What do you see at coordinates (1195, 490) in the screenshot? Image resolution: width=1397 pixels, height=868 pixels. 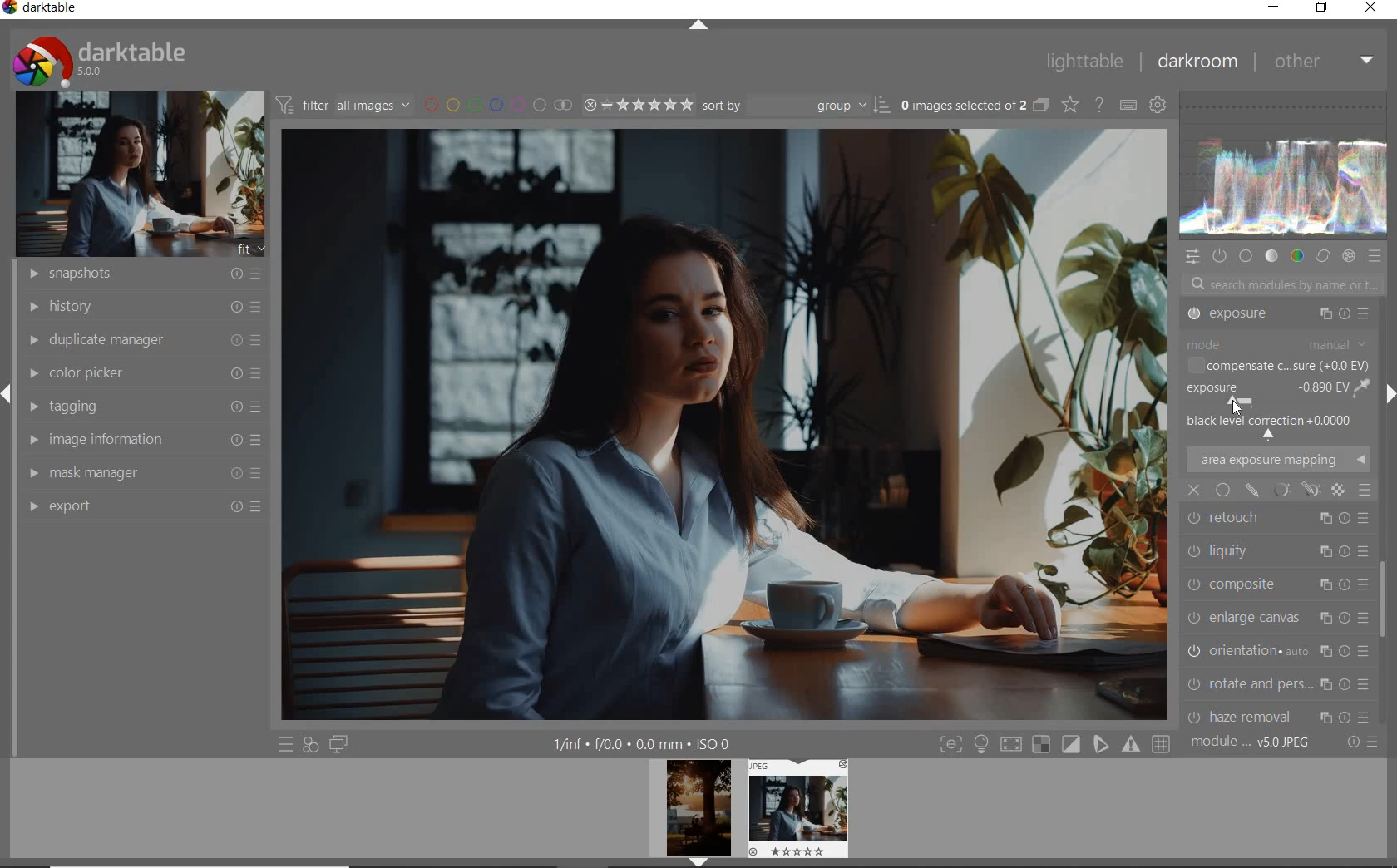 I see `close` at bounding box center [1195, 490].